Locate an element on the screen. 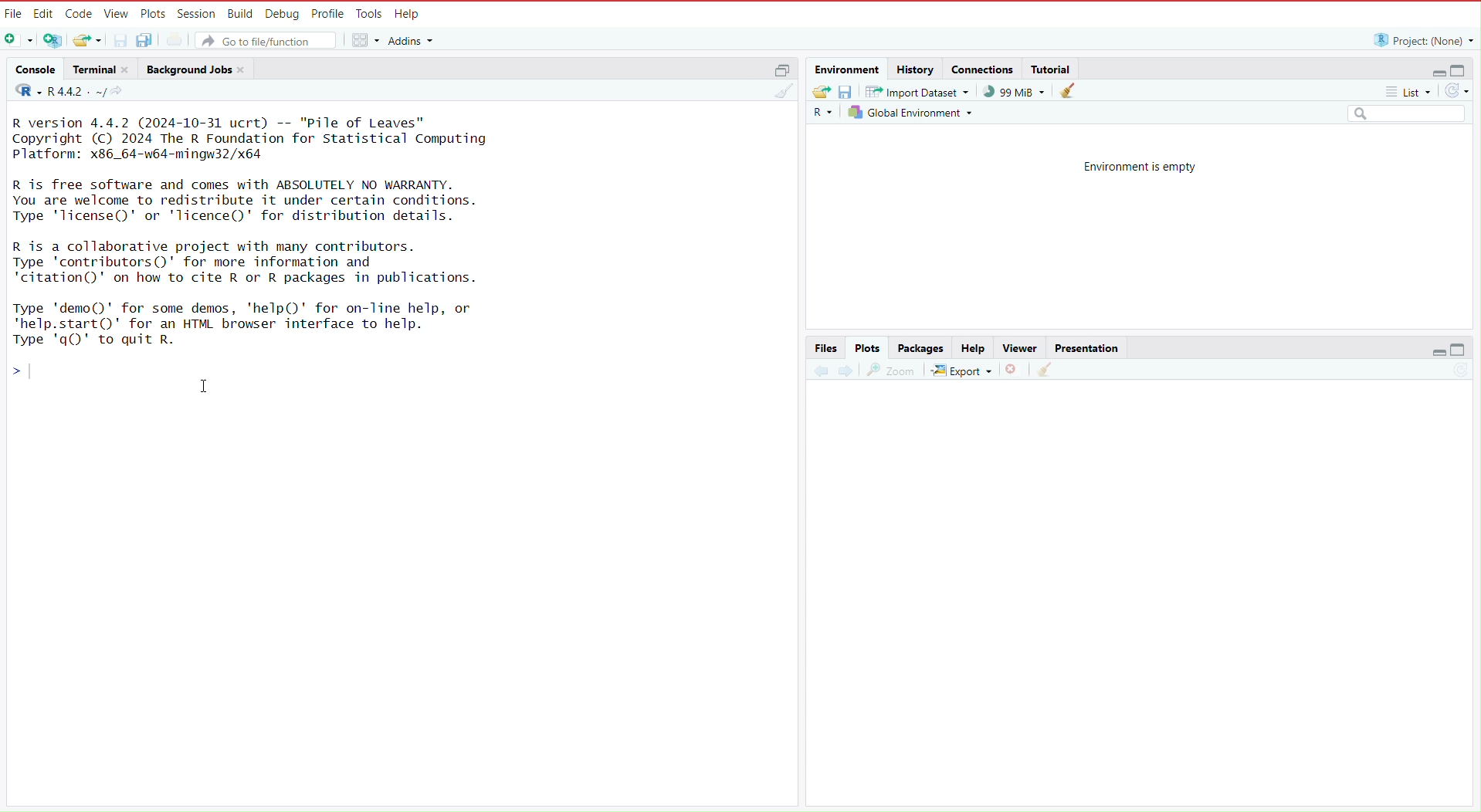 This screenshot has width=1481, height=812. 99 MiB is located at coordinates (1014, 92).